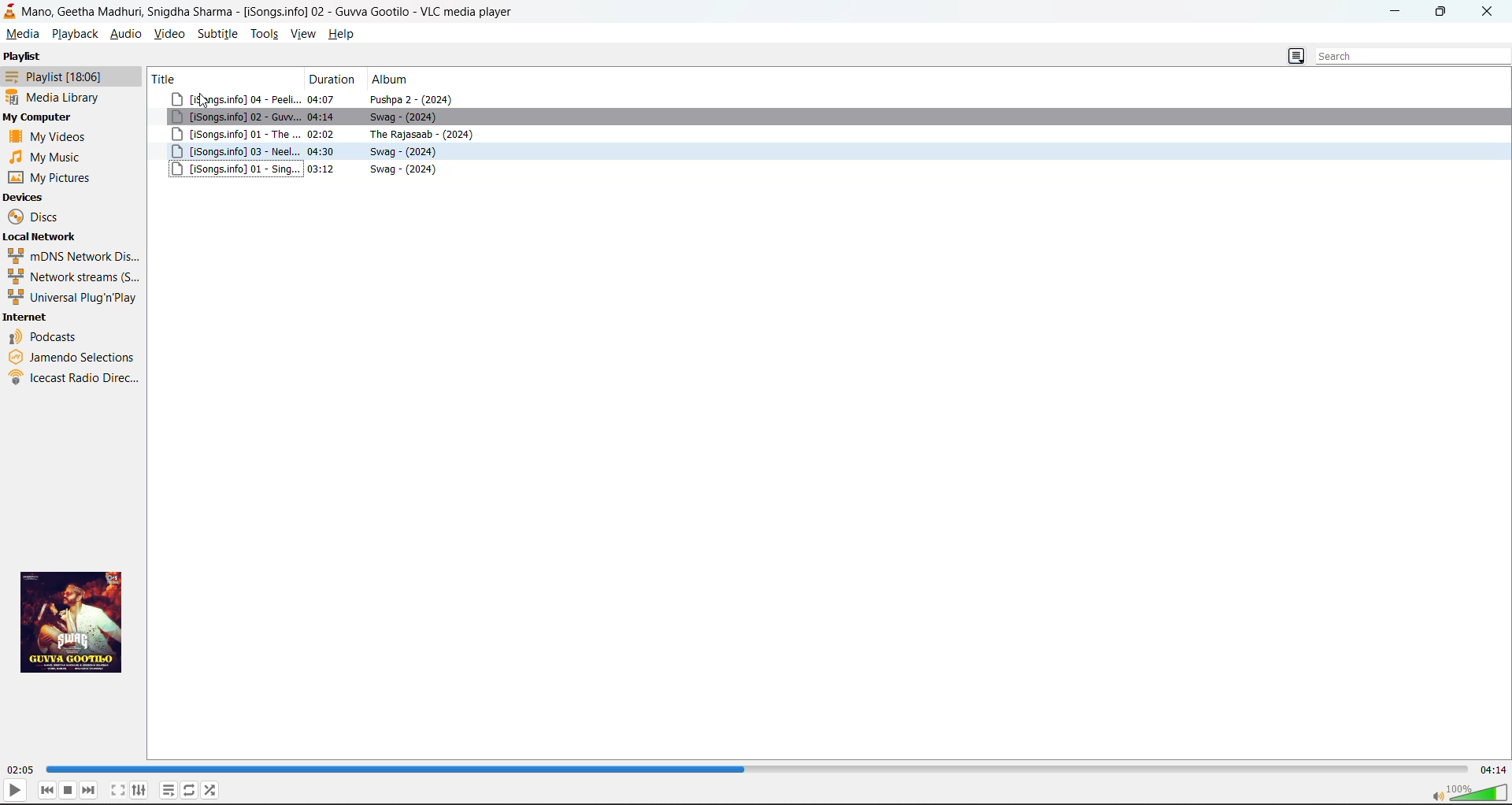 This screenshot has height=805, width=1512. What do you see at coordinates (833, 99) in the screenshot?
I see `song` at bounding box center [833, 99].